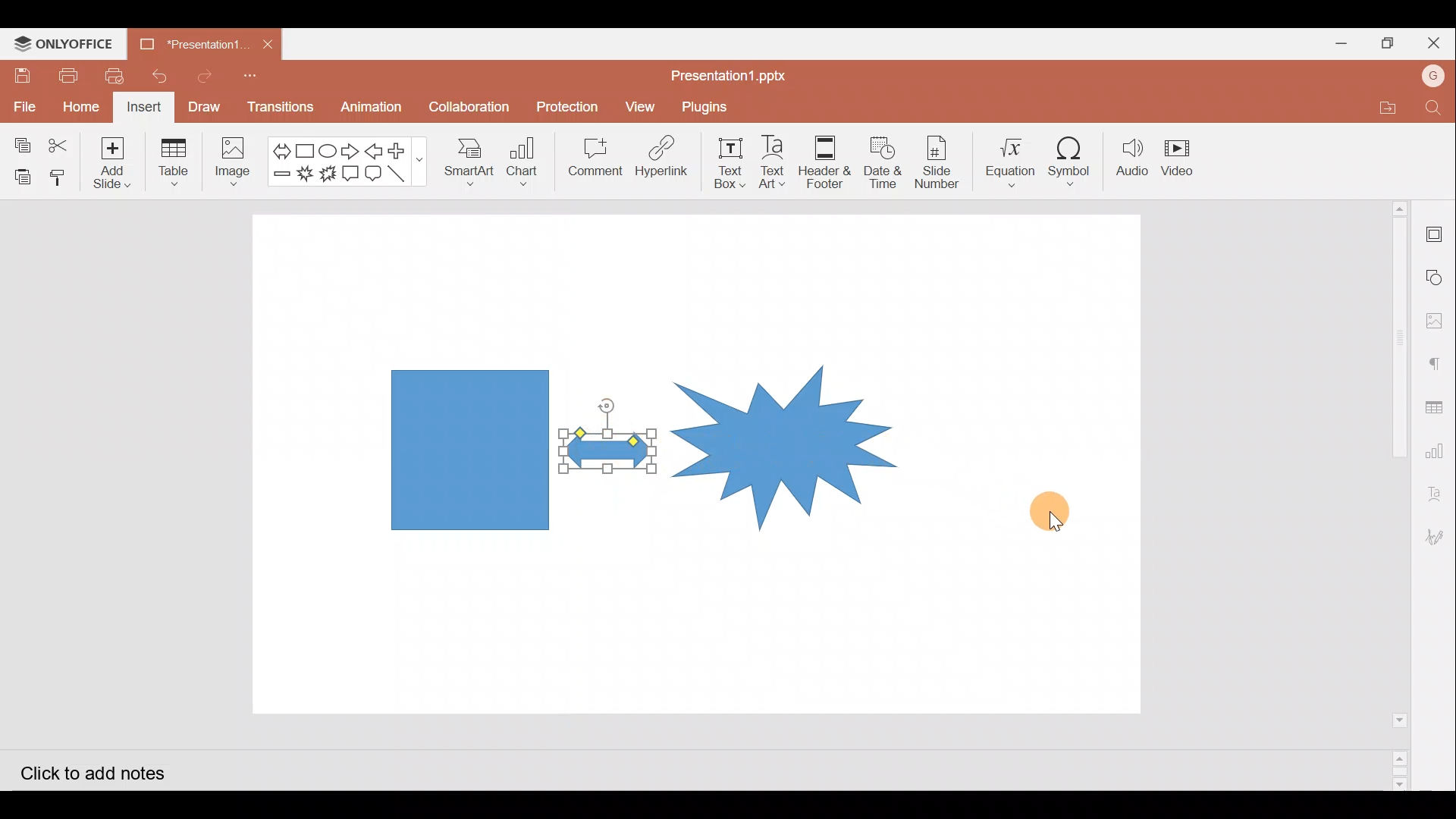 This screenshot has width=1456, height=819. I want to click on Insert, so click(145, 108).